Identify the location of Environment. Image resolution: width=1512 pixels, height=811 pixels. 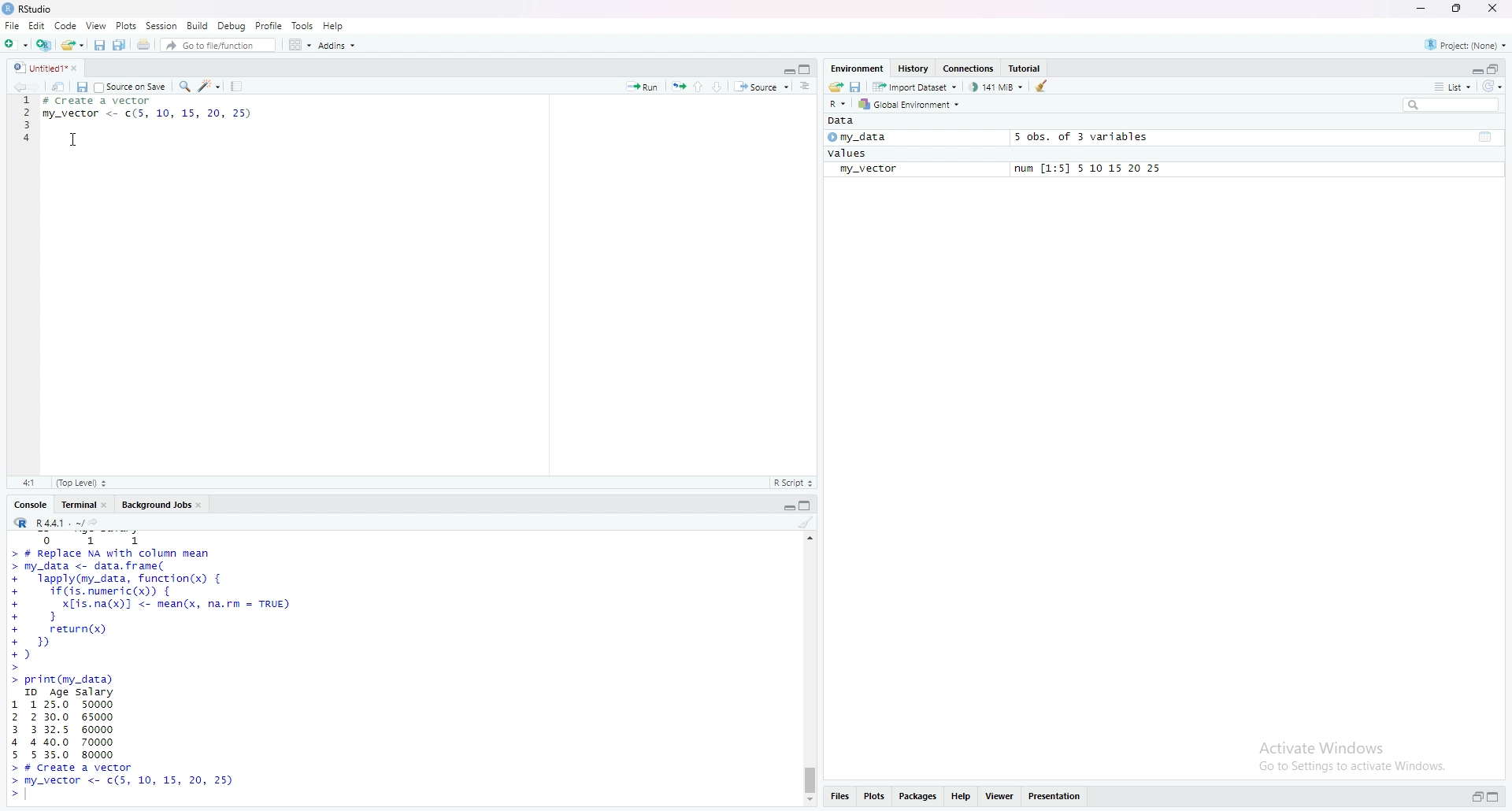
(858, 69).